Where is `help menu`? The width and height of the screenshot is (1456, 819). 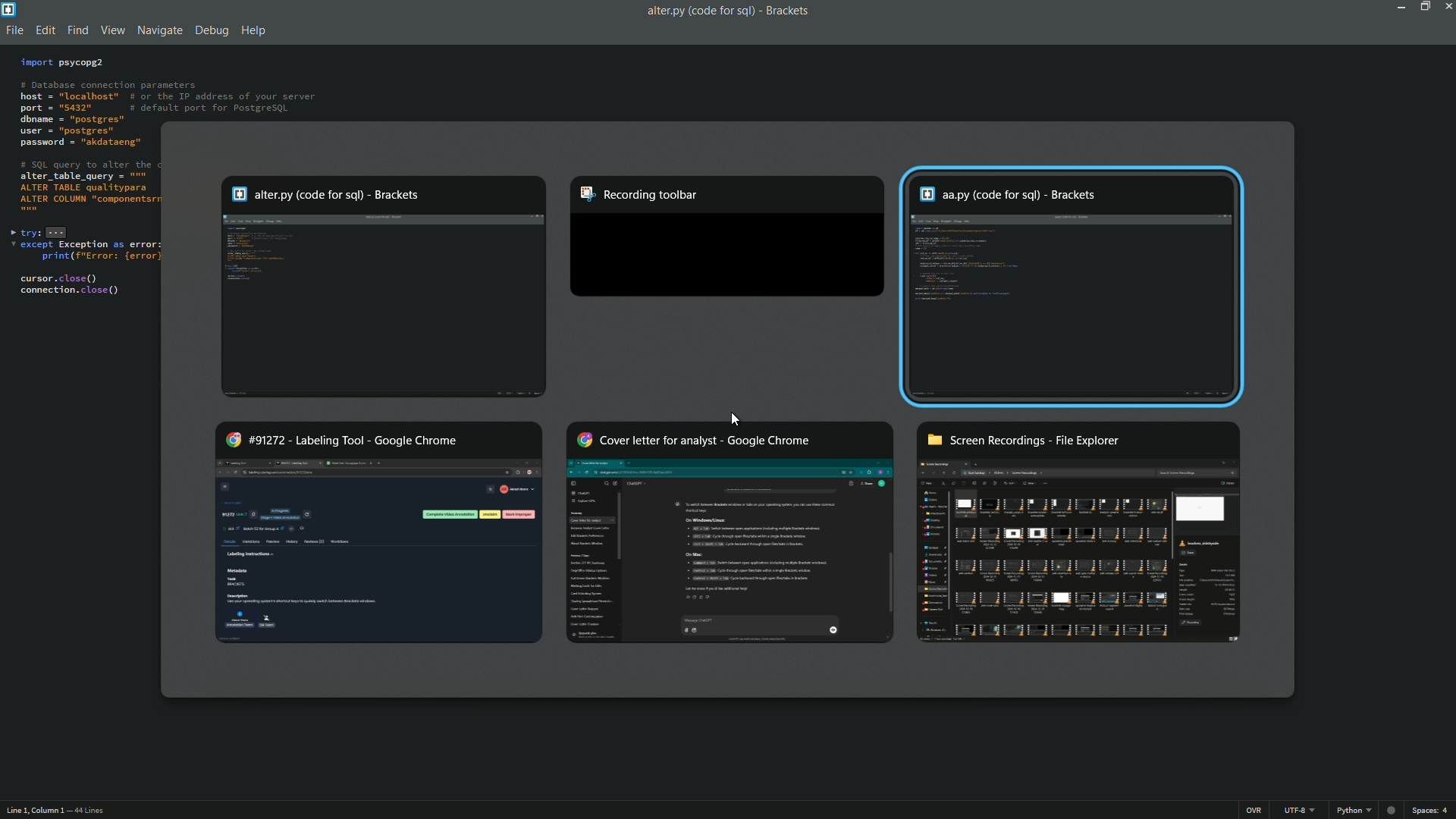 help menu is located at coordinates (254, 32).